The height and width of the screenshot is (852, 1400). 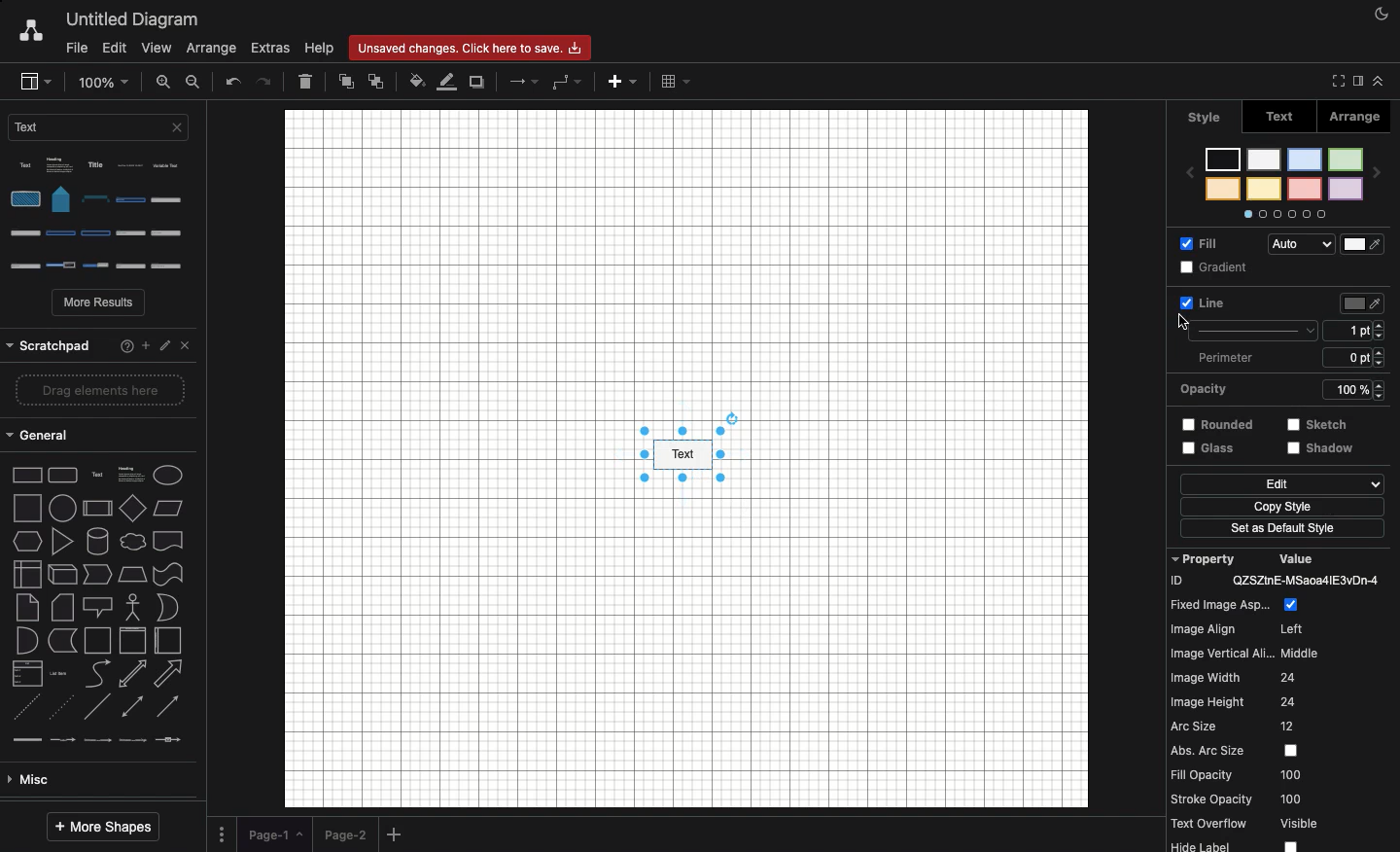 What do you see at coordinates (164, 81) in the screenshot?
I see `Zoom in` at bounding box center [164, 81].